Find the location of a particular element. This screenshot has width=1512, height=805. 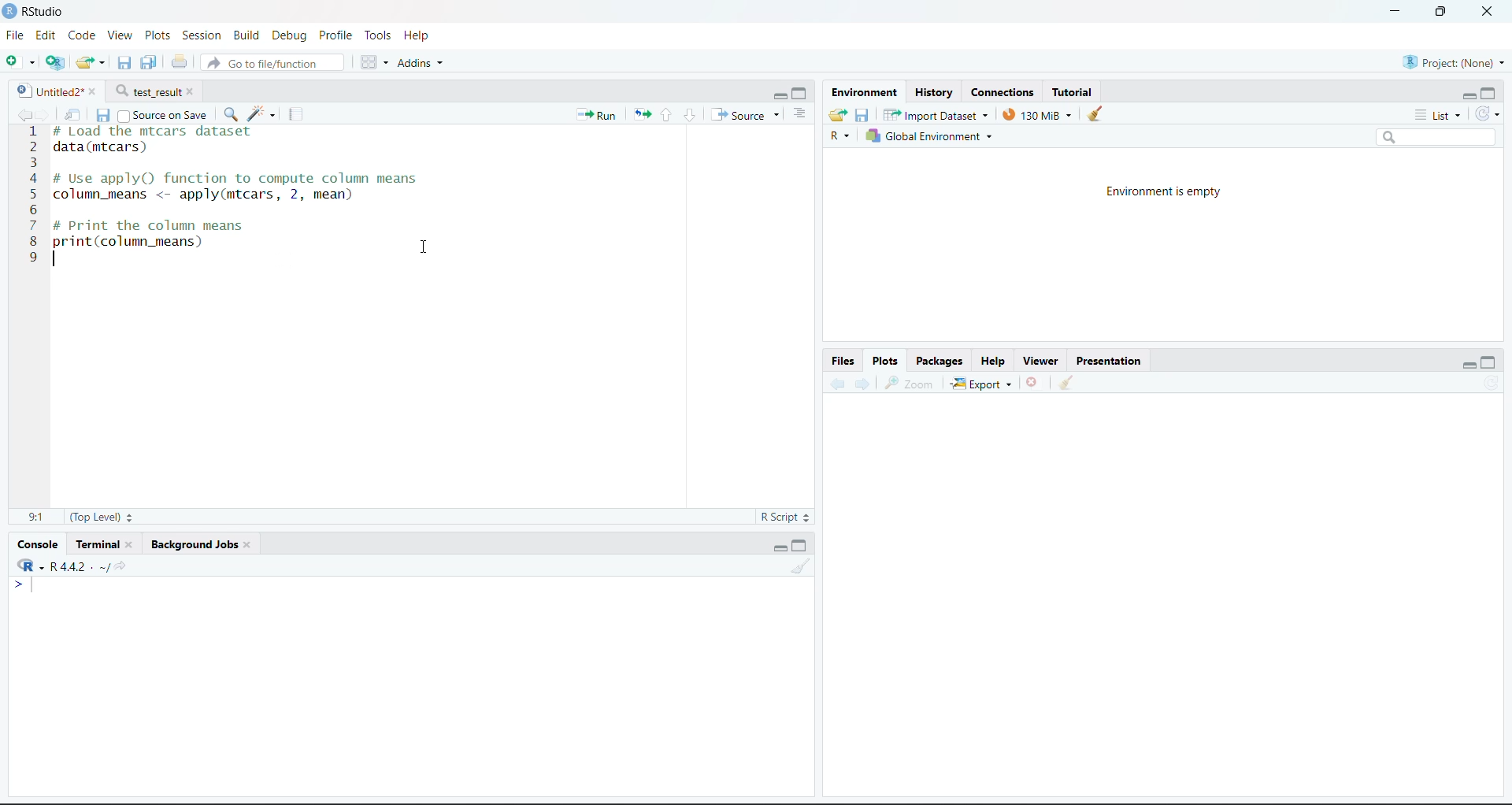

Minimize is located at coordinates (1390, 12).